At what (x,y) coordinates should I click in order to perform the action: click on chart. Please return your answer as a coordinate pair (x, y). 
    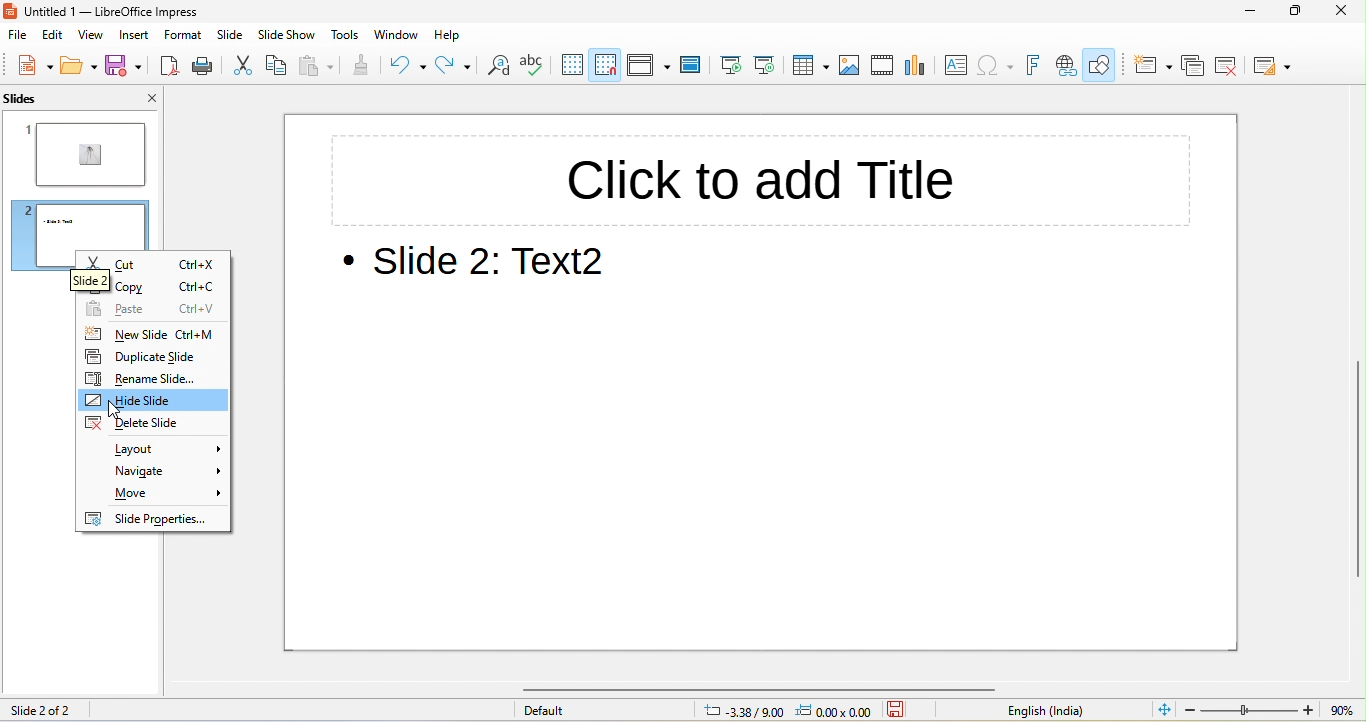
    Looking at the image, I should click on (919, 67).